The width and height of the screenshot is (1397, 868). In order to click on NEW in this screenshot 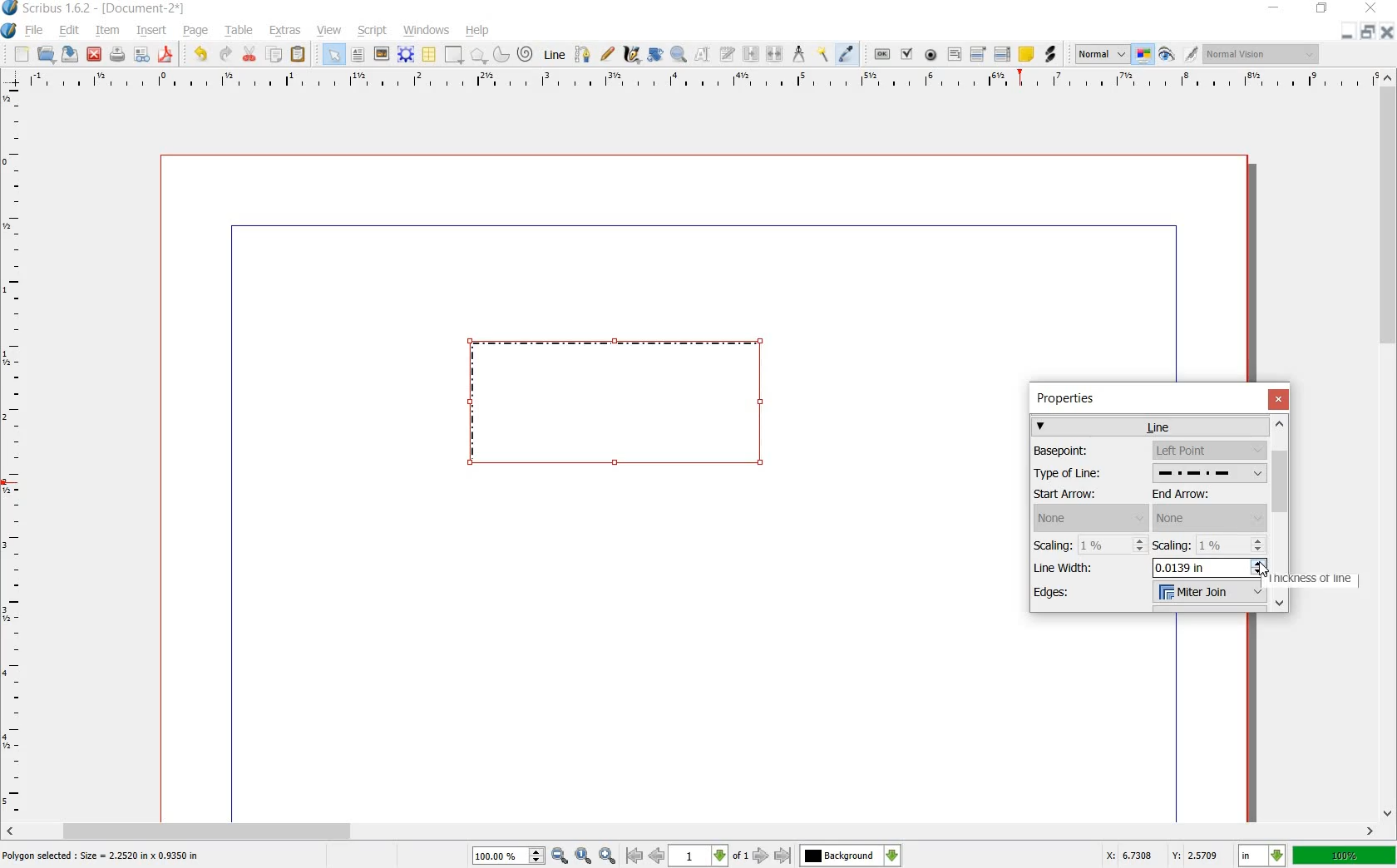, I will do `click(21, 55)`.